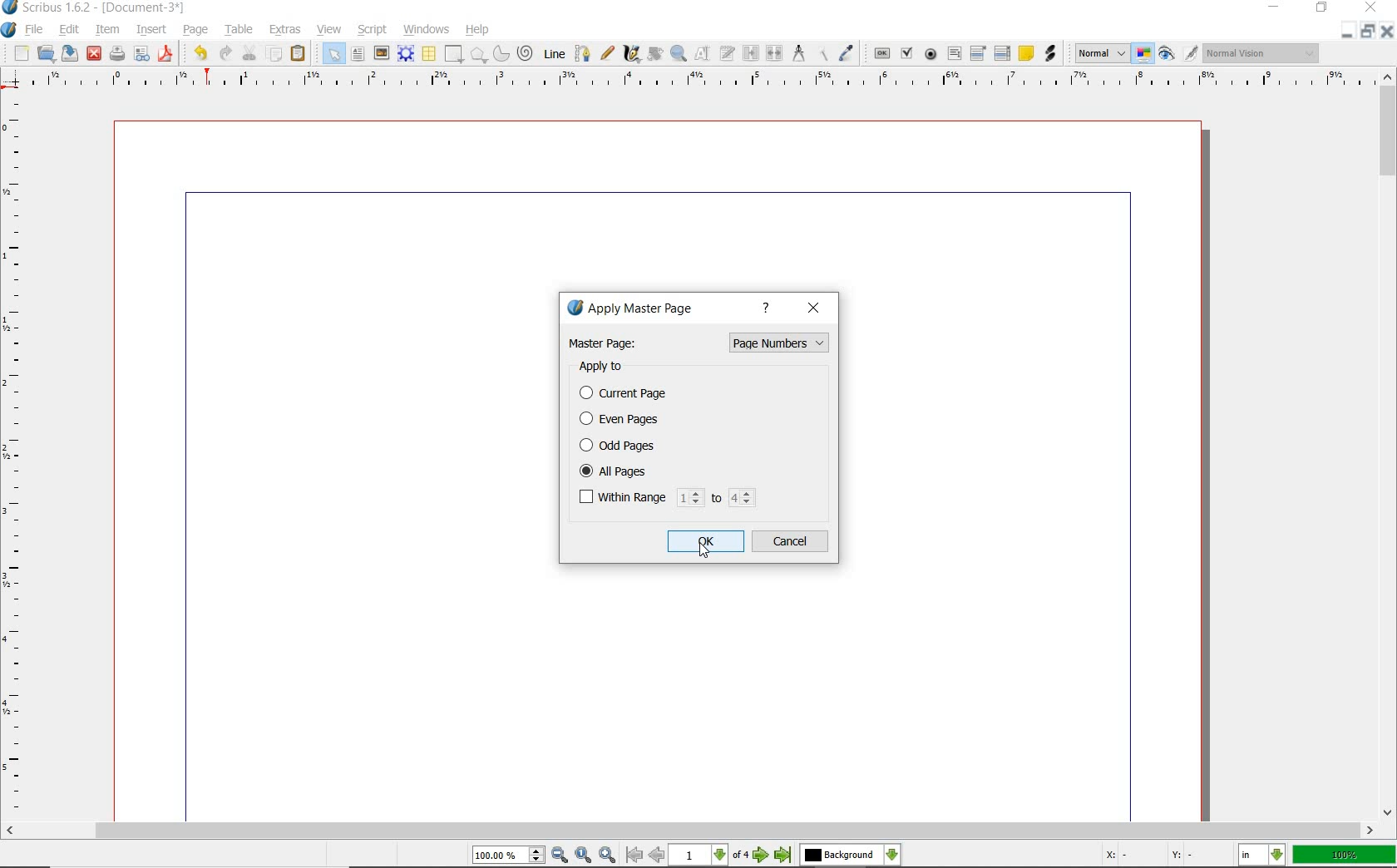 This screenshot has width=1397, height=868. Describe the element at coordinates (357, 55) in the screenshot. I see `text frame` at that location.